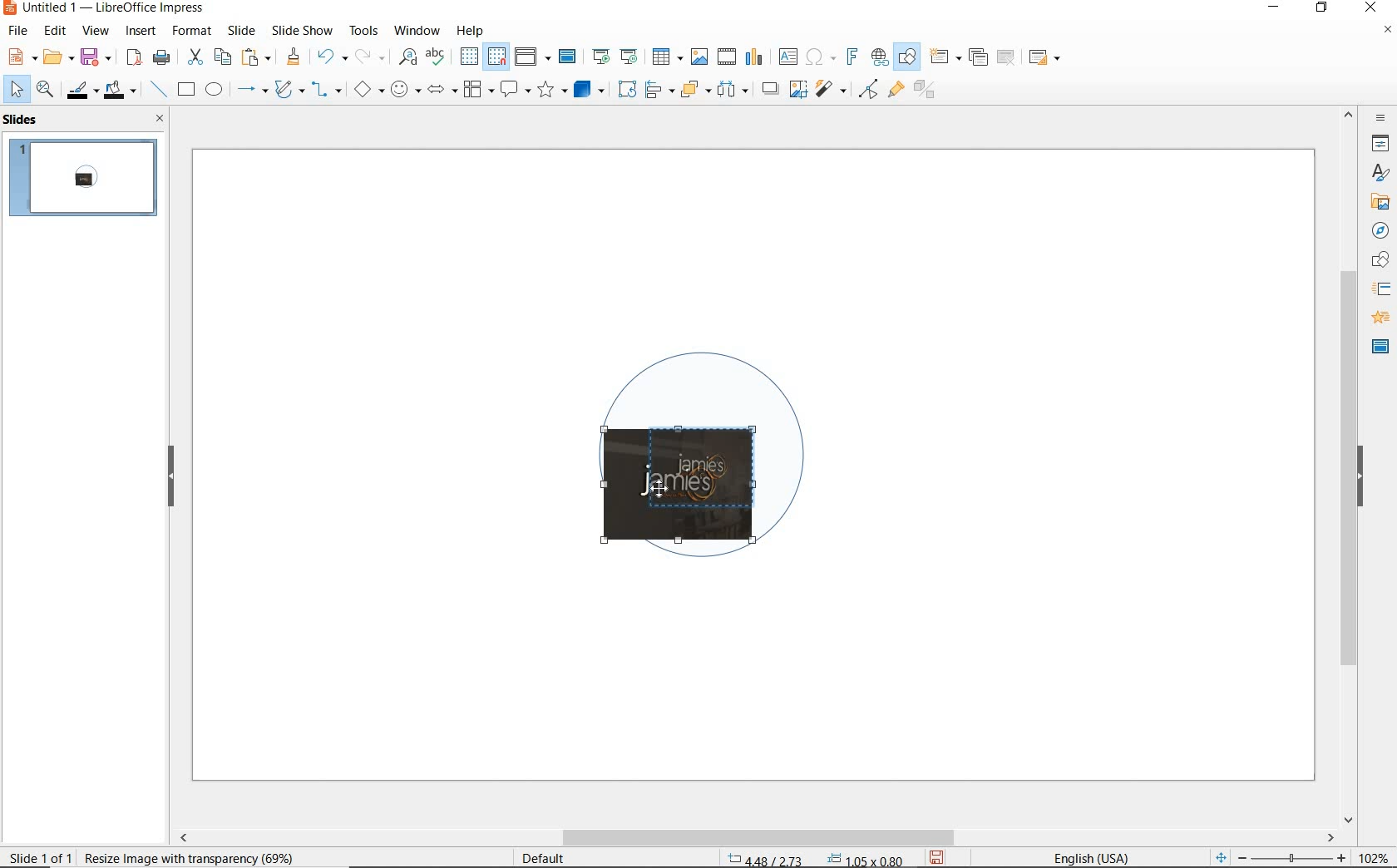 The height and width of the screenshot is (868, 1397). Describe the element at coordinates (725, 56) in the screenshot. I see `insert video` at that location.